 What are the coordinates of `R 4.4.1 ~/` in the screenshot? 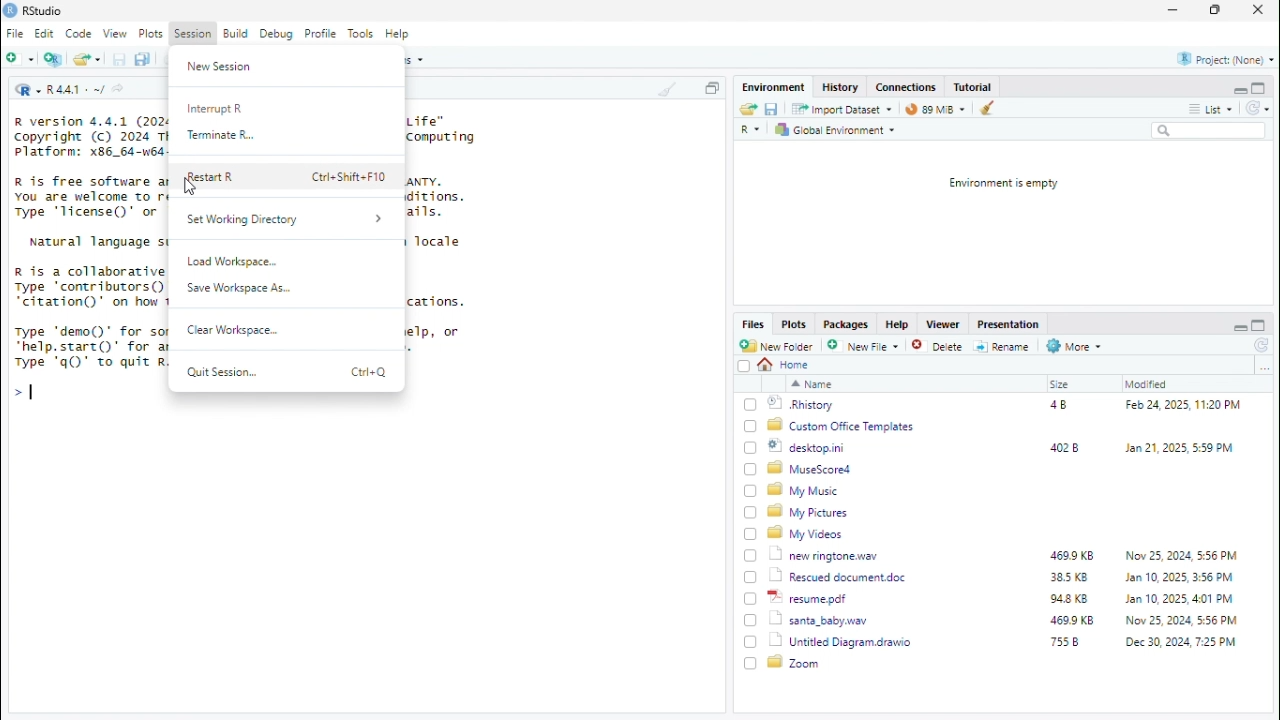 It's located at (76, 91).